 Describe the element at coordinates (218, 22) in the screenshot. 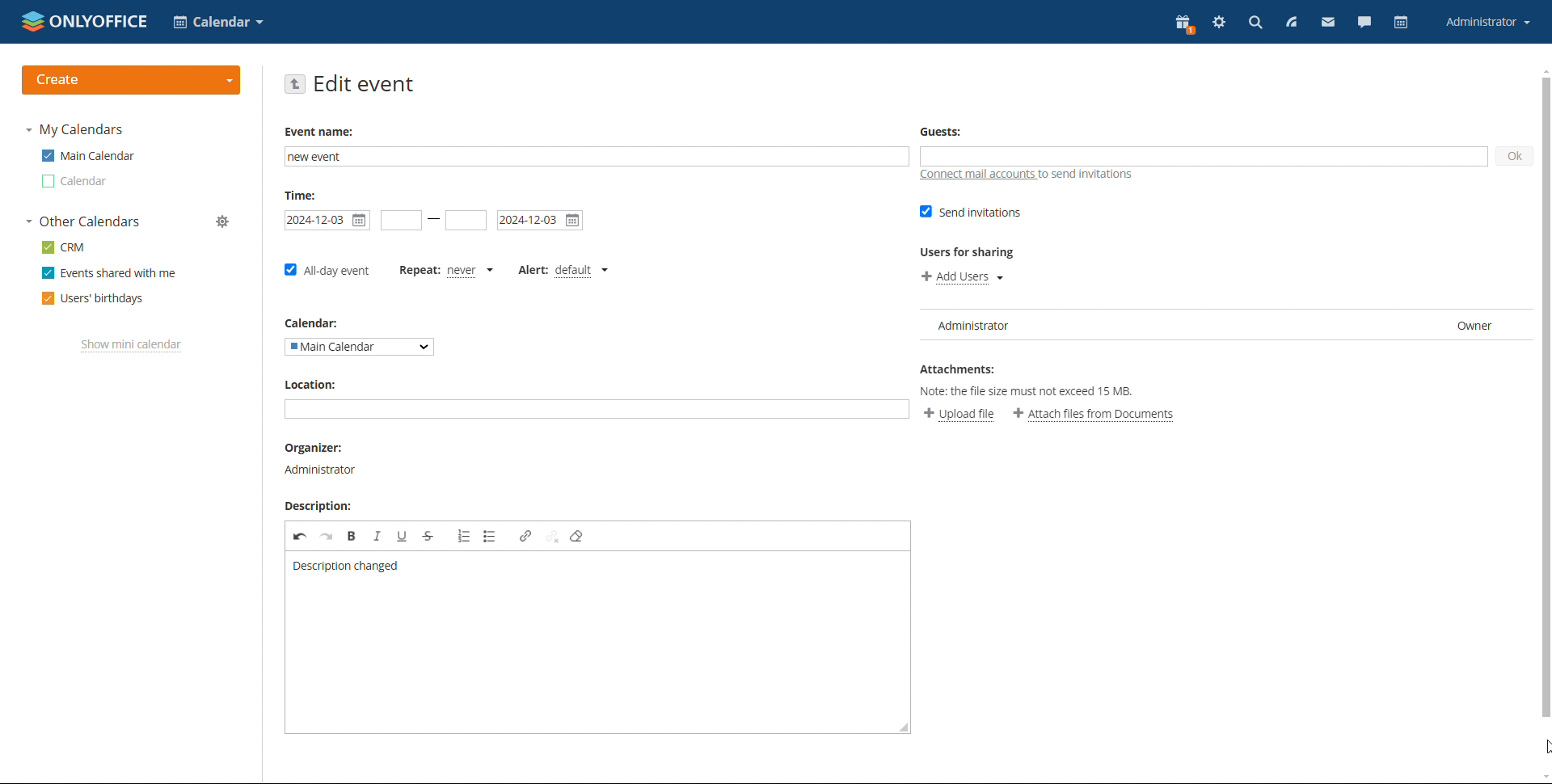

I see `select application` at that location.